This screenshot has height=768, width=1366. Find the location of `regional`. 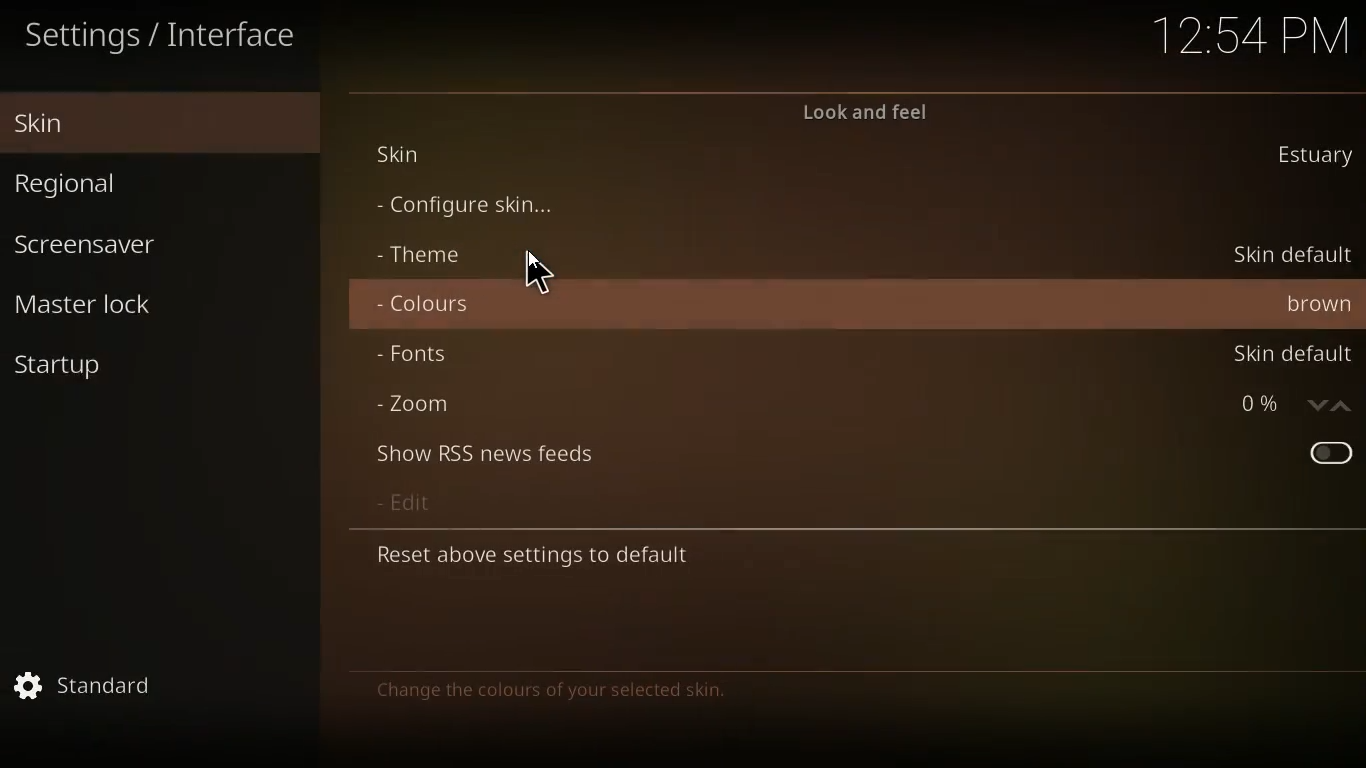

regional is located at coordinates (126, 184).